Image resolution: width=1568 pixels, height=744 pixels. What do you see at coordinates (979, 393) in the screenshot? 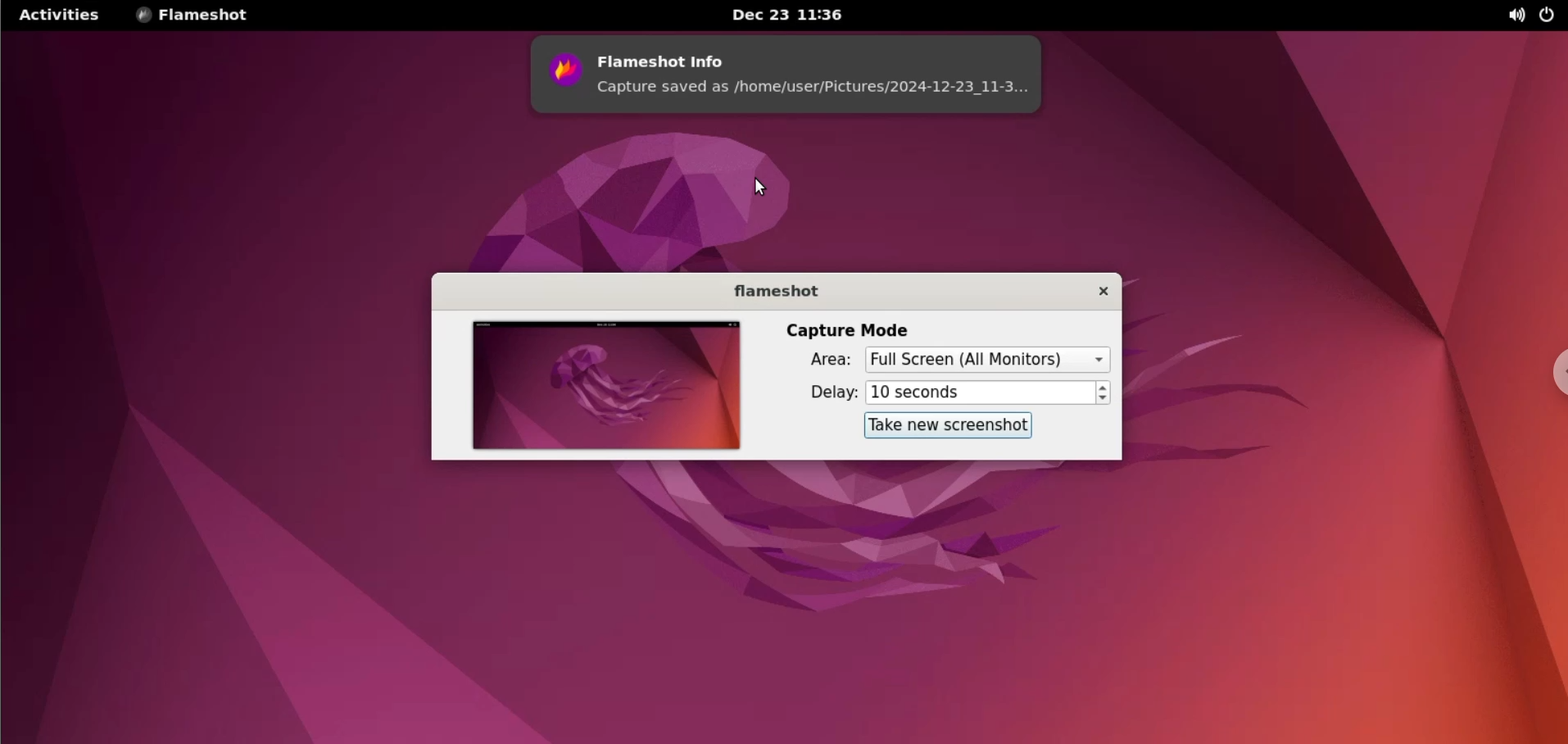
I see `delay time` at bounding box center [979, 393].